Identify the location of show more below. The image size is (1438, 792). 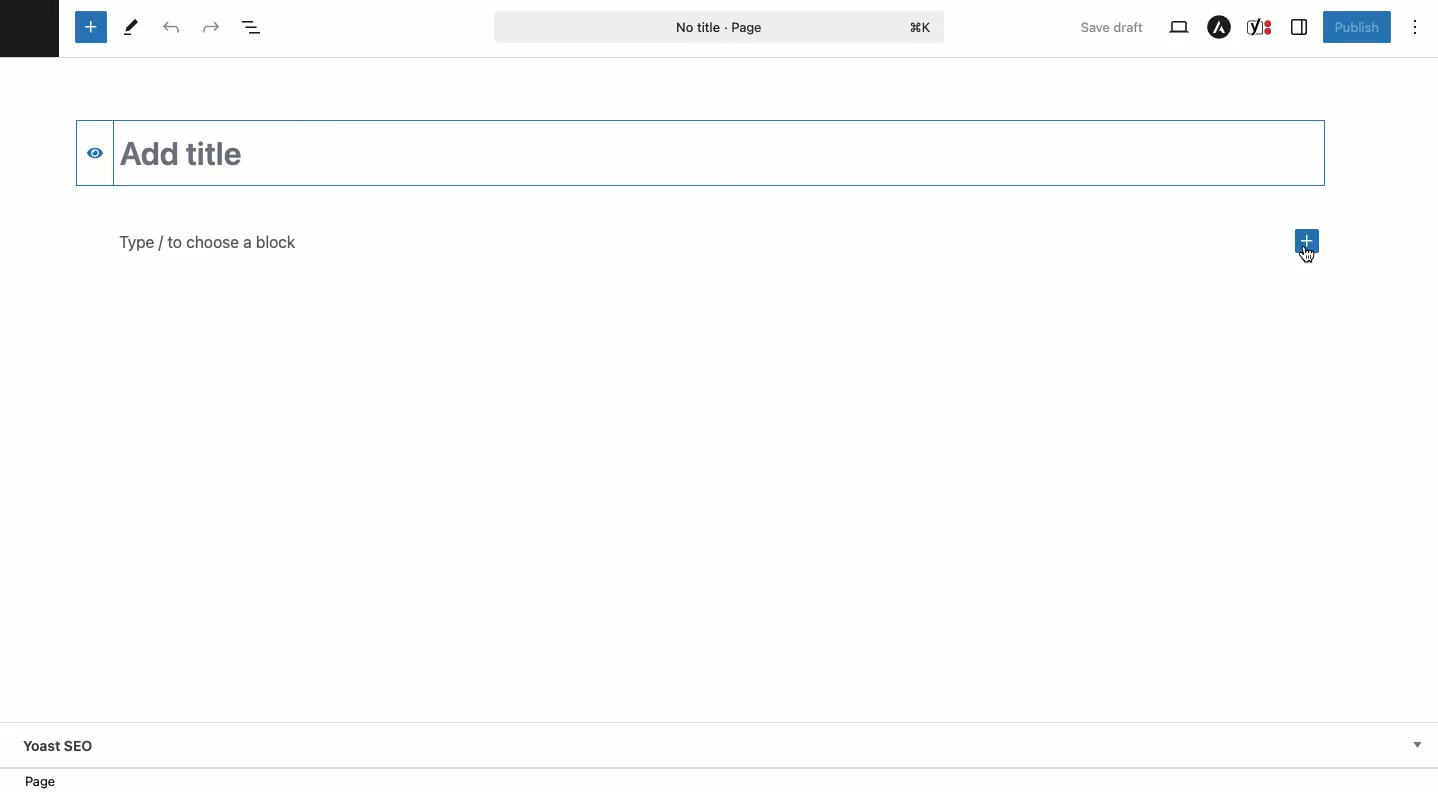
(1416, 743).